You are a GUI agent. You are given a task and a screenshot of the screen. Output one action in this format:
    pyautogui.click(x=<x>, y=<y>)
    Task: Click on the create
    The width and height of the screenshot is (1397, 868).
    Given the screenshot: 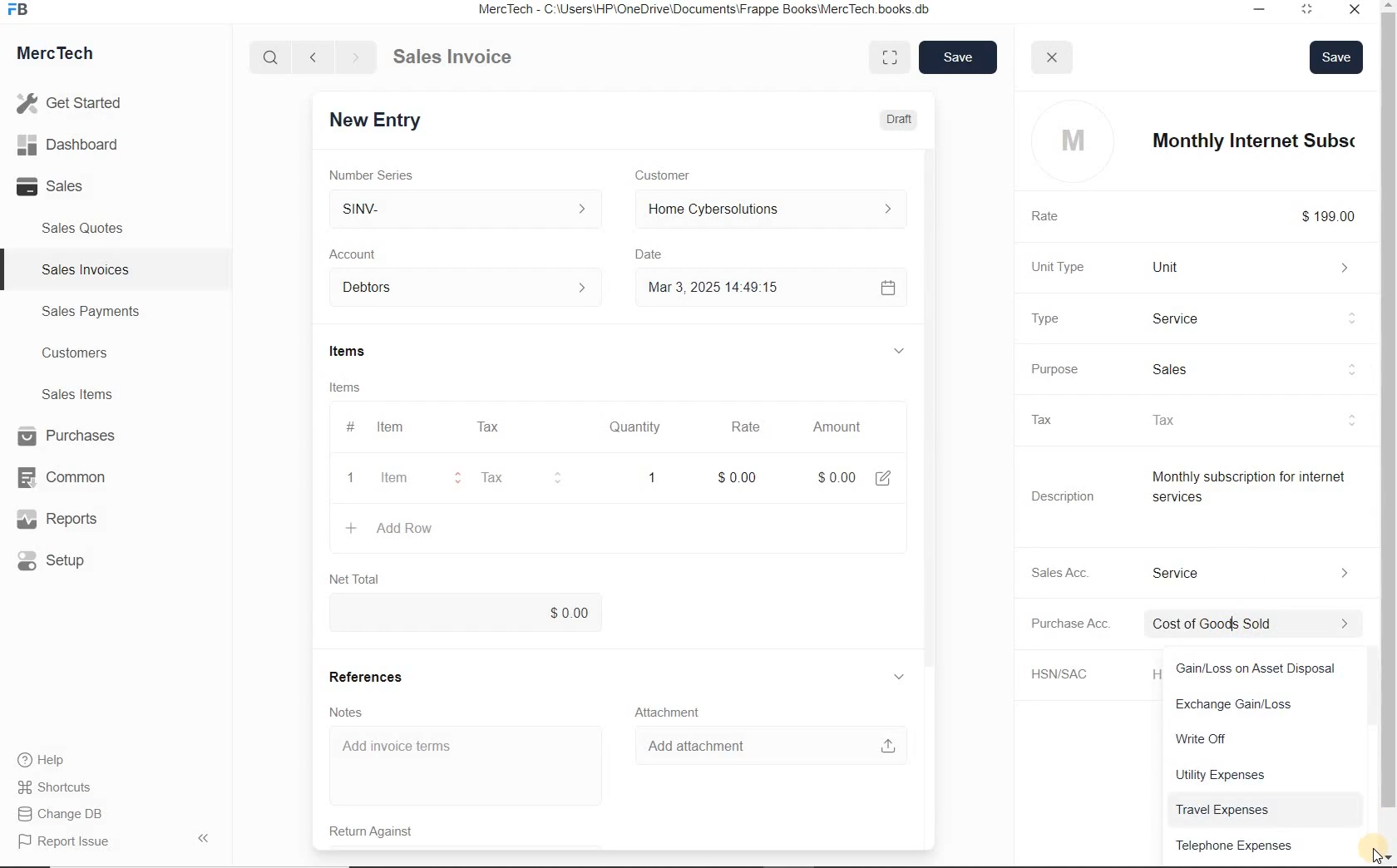 What is the action you would take?
    pyautogui.click(x=353, y=528)
    